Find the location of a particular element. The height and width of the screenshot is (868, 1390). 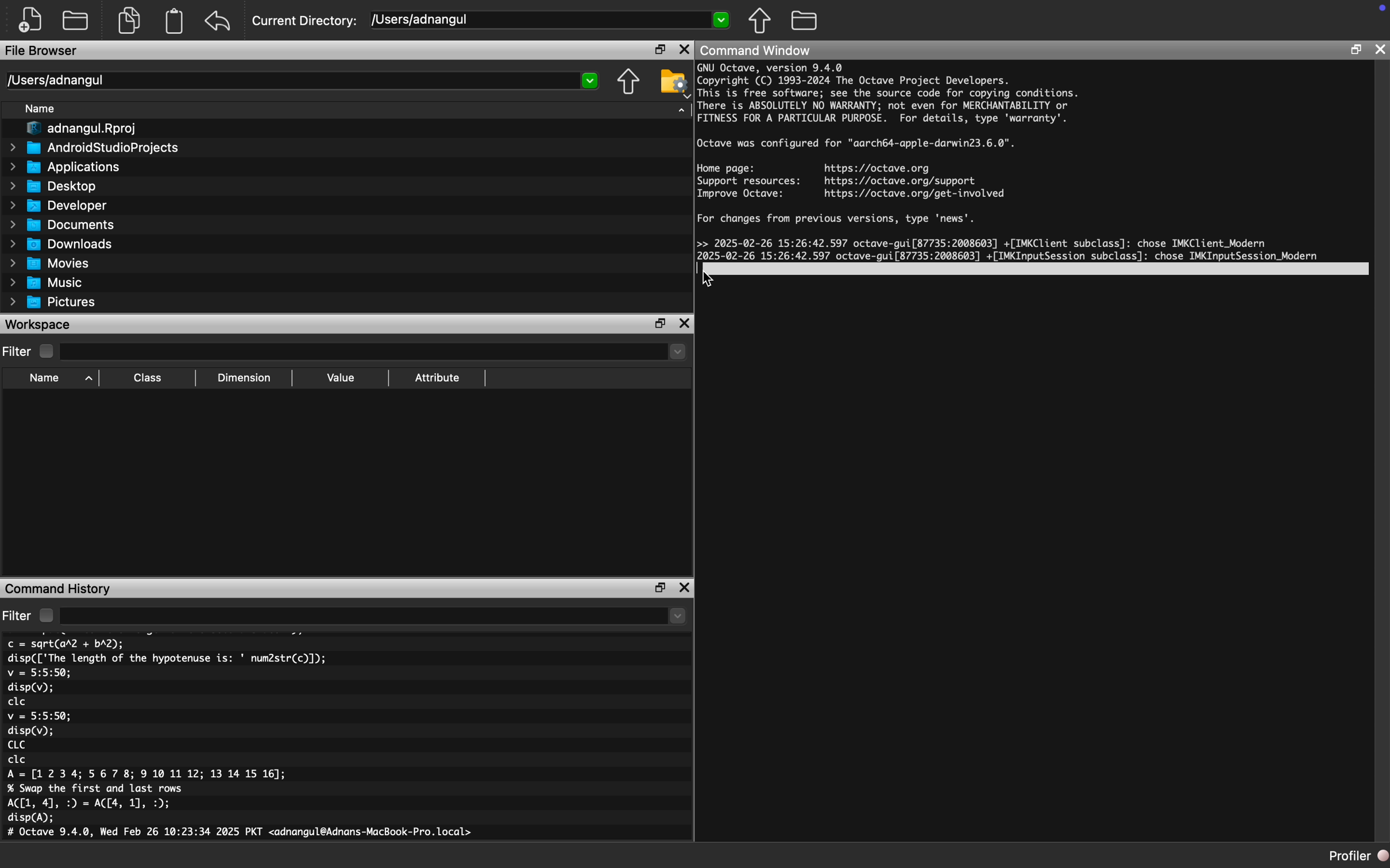

disp(A); is located at coordinates (32, 818).